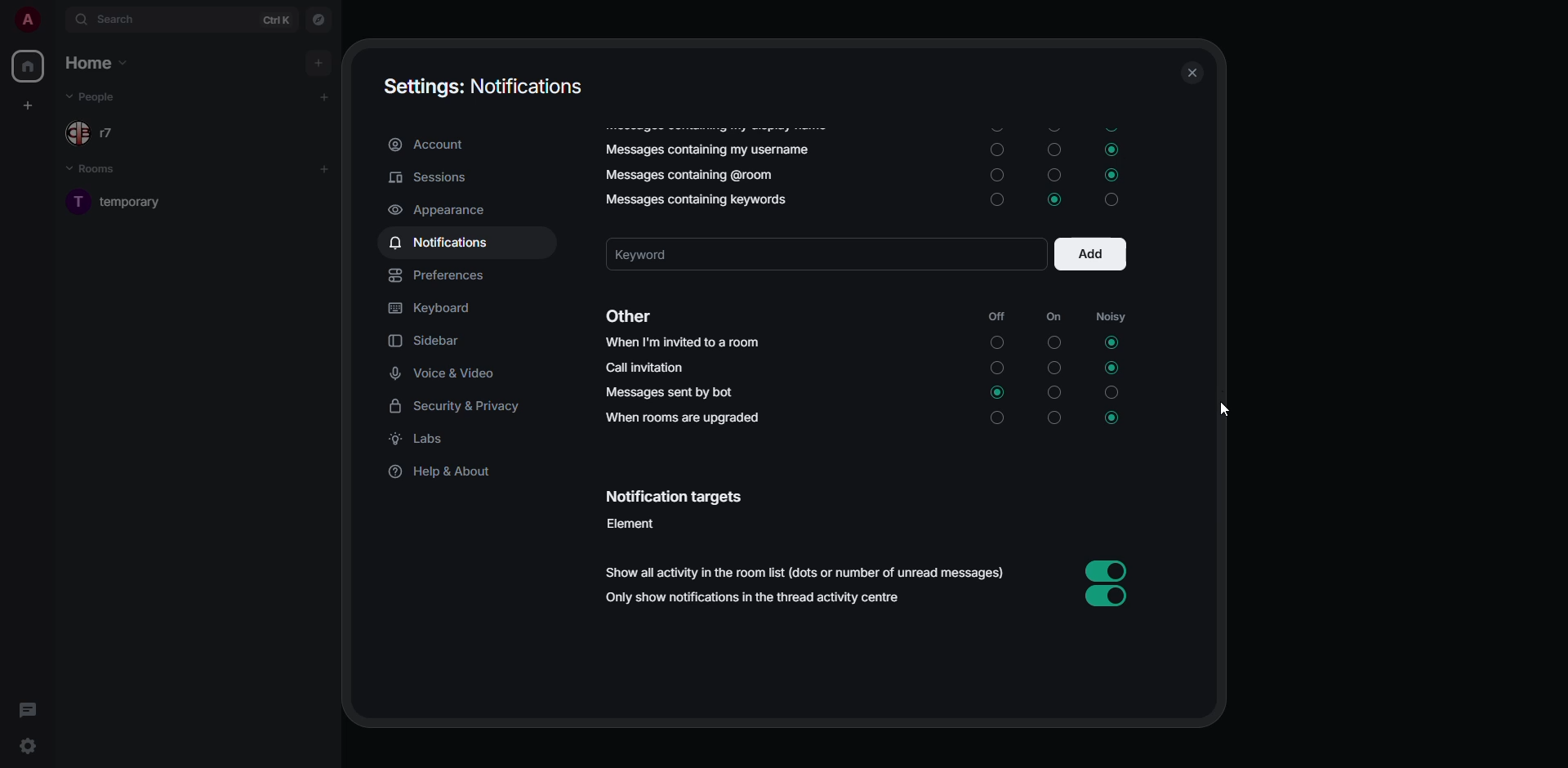 The width and height of the screenshot is (1568, 768). Describe the element at coordinates (441, 275) in the screenshot. I see `preferences` at that location.